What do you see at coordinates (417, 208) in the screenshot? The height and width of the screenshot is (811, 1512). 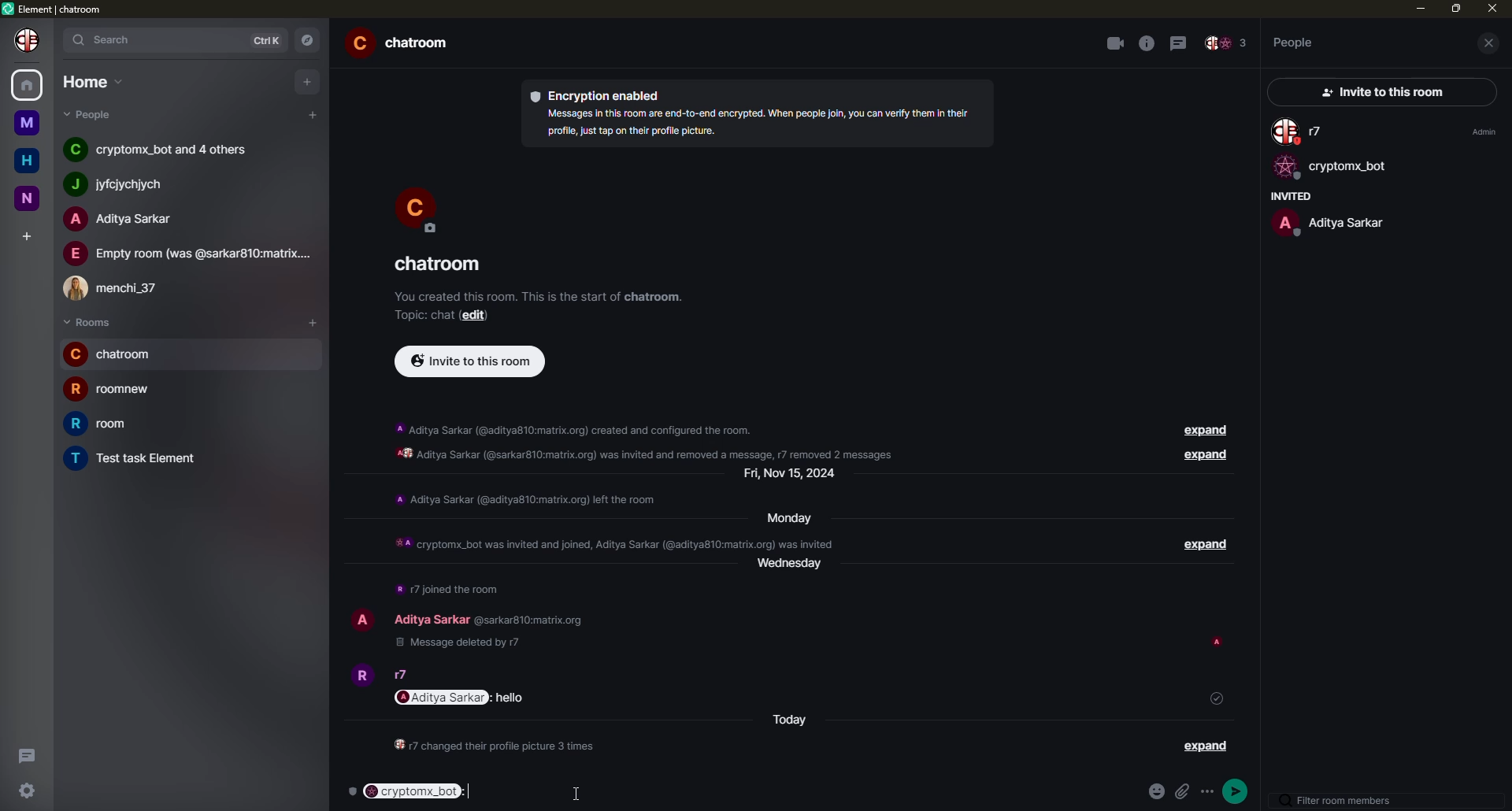 I see `profile` at bounding box center [417, 208].